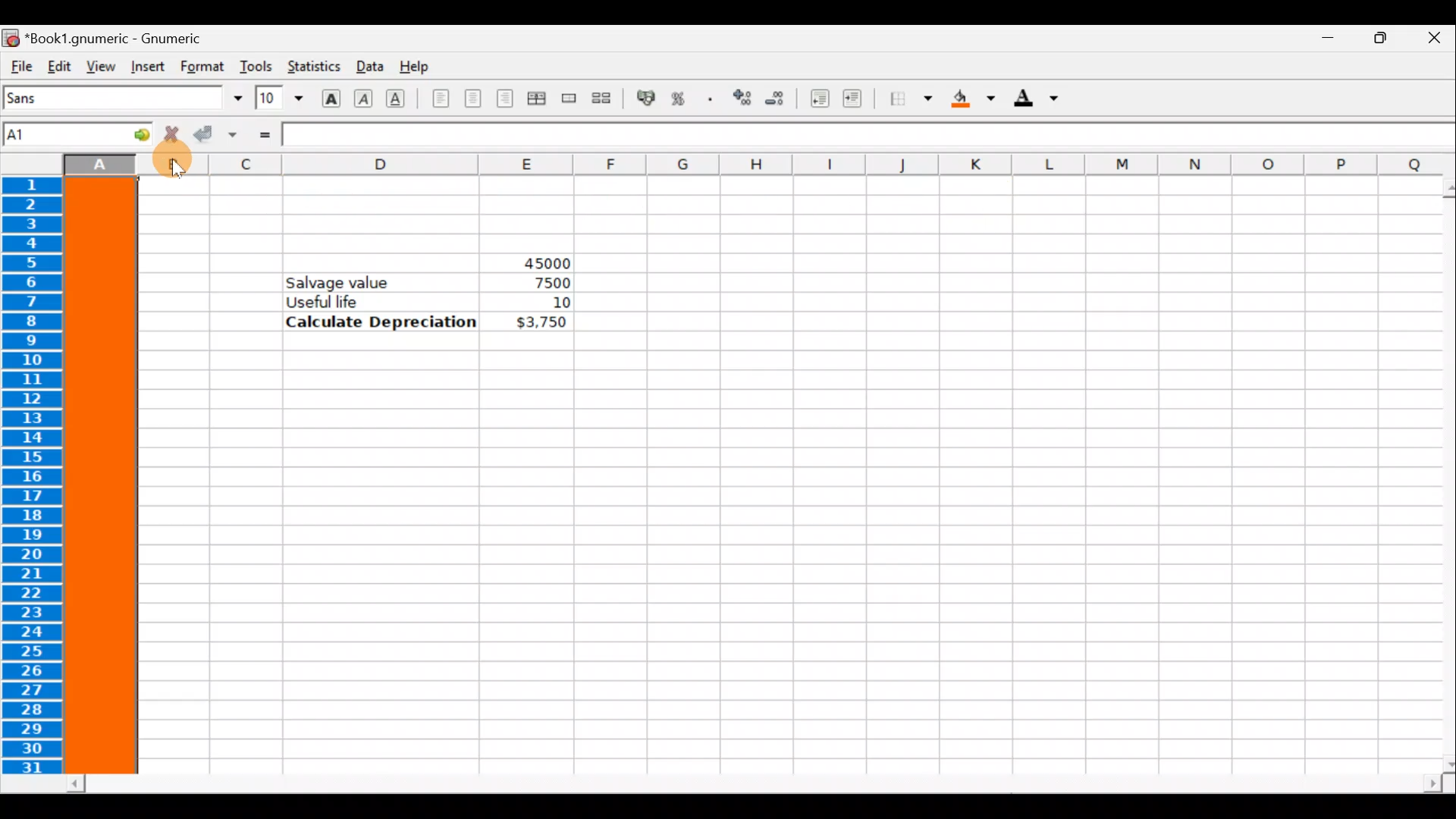 The height and width of the screenshot is (819, 1456). I want to click on Format the selection as percentage, so click(681, 101).